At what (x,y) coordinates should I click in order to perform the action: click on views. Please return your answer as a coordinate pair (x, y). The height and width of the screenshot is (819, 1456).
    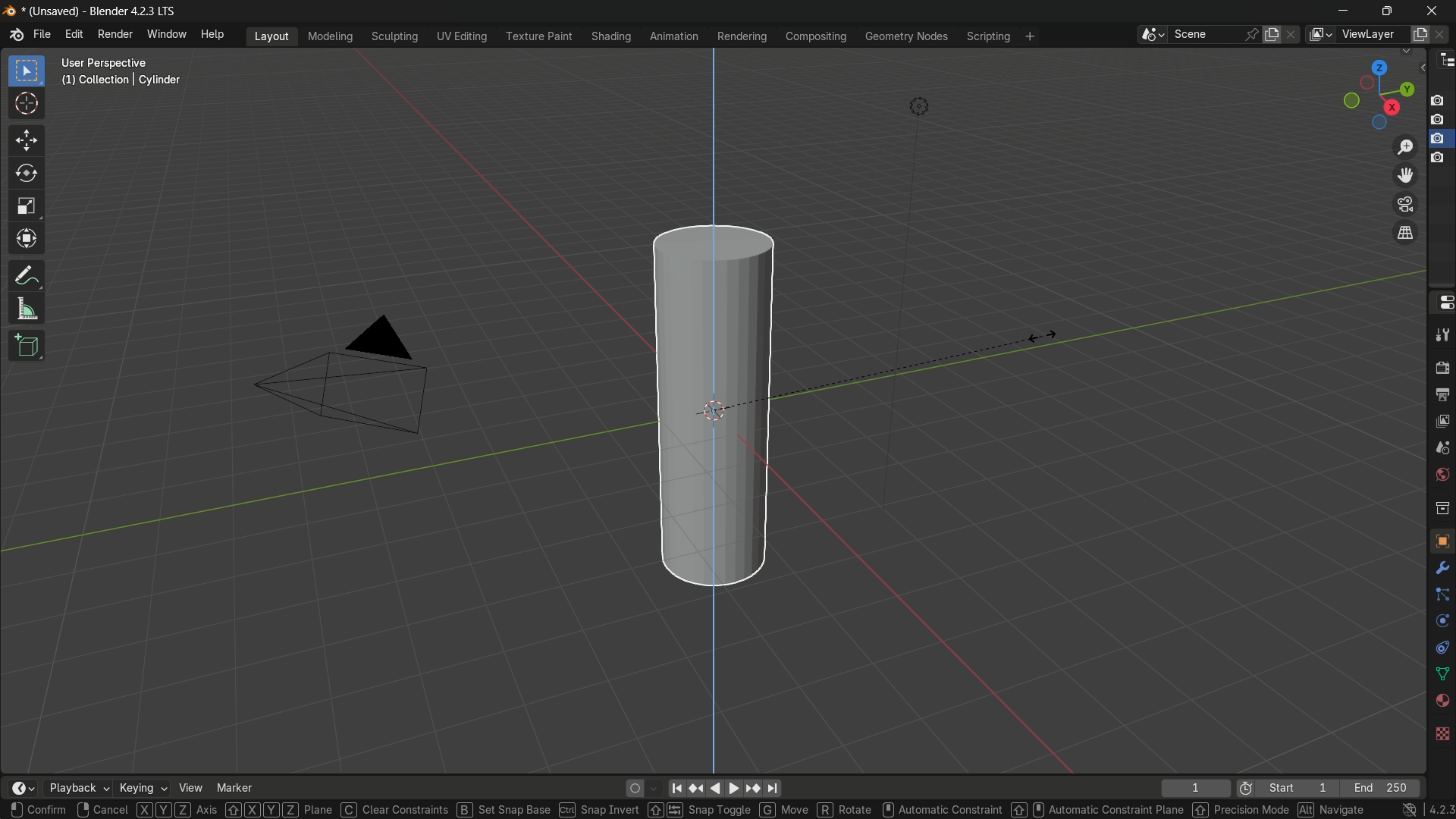
    Looking at the image, I should click on (1319, 35).